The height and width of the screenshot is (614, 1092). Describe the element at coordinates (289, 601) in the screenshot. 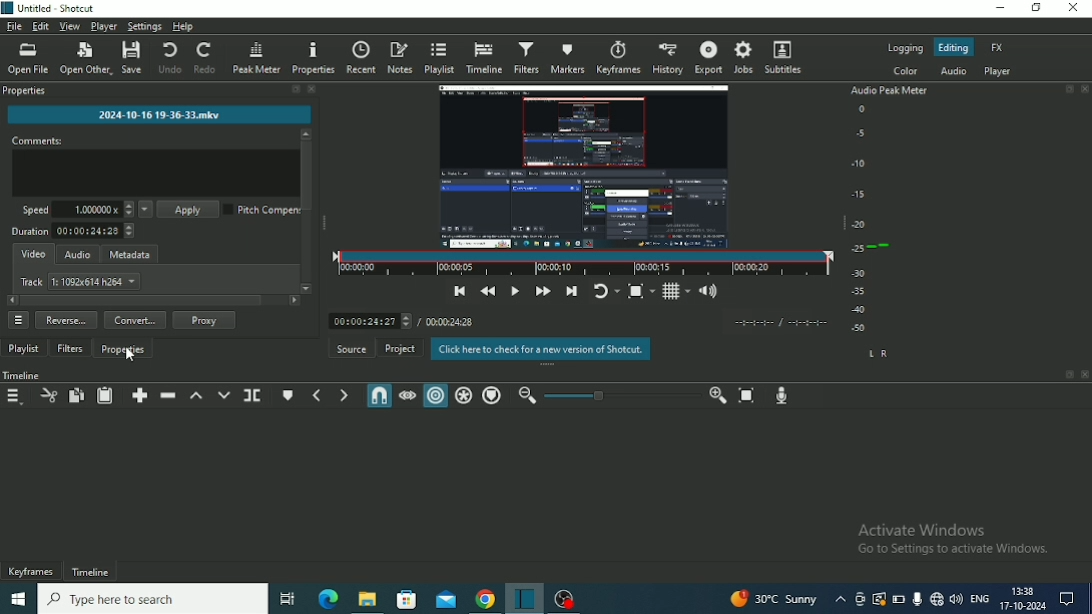

I see `Task View` at that location.